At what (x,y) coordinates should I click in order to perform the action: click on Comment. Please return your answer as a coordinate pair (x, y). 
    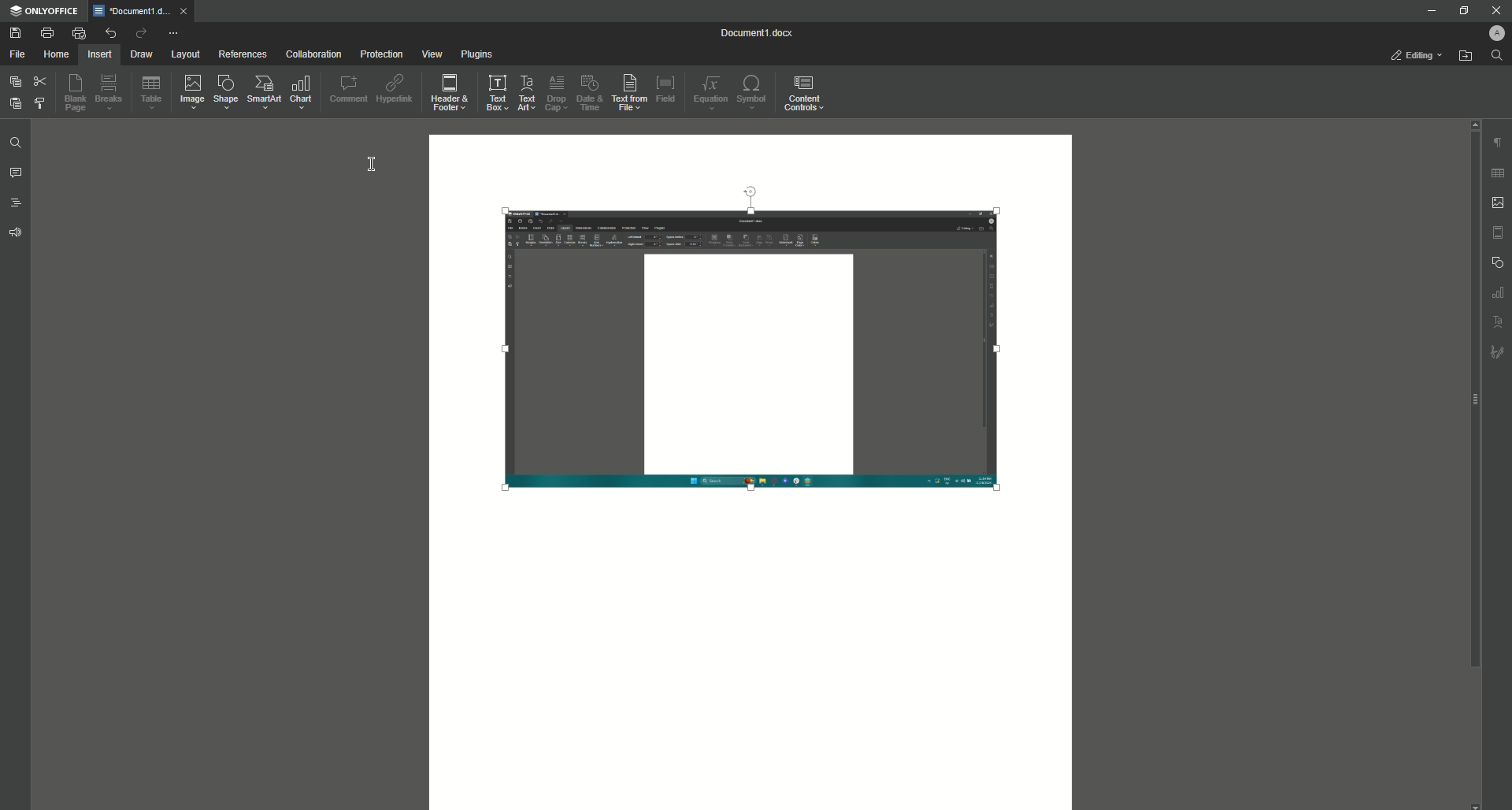
    Looking at the image, I should click on (349, 91).